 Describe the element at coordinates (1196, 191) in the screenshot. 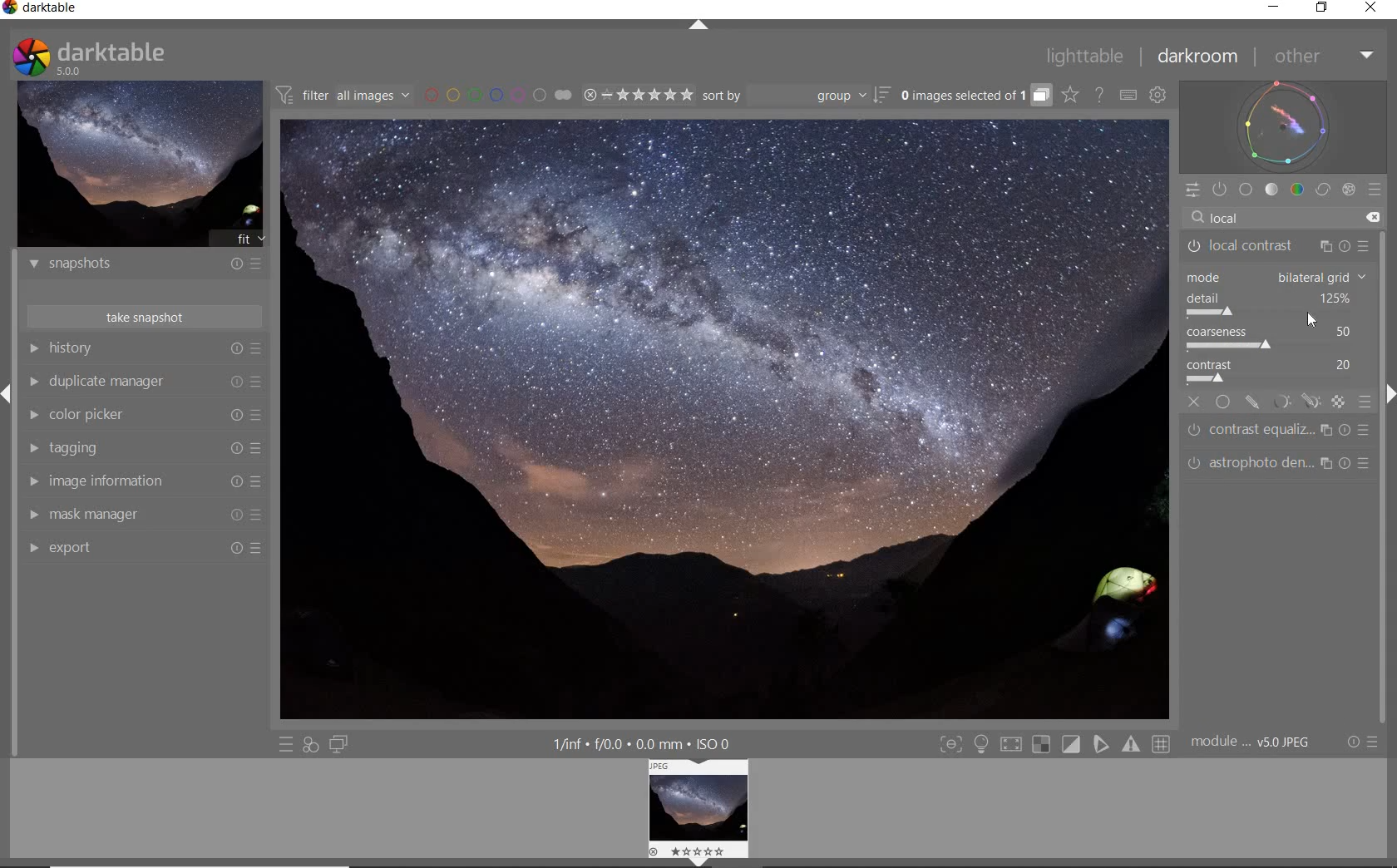

I see `QUICK ACCESS PANEL` at that location.